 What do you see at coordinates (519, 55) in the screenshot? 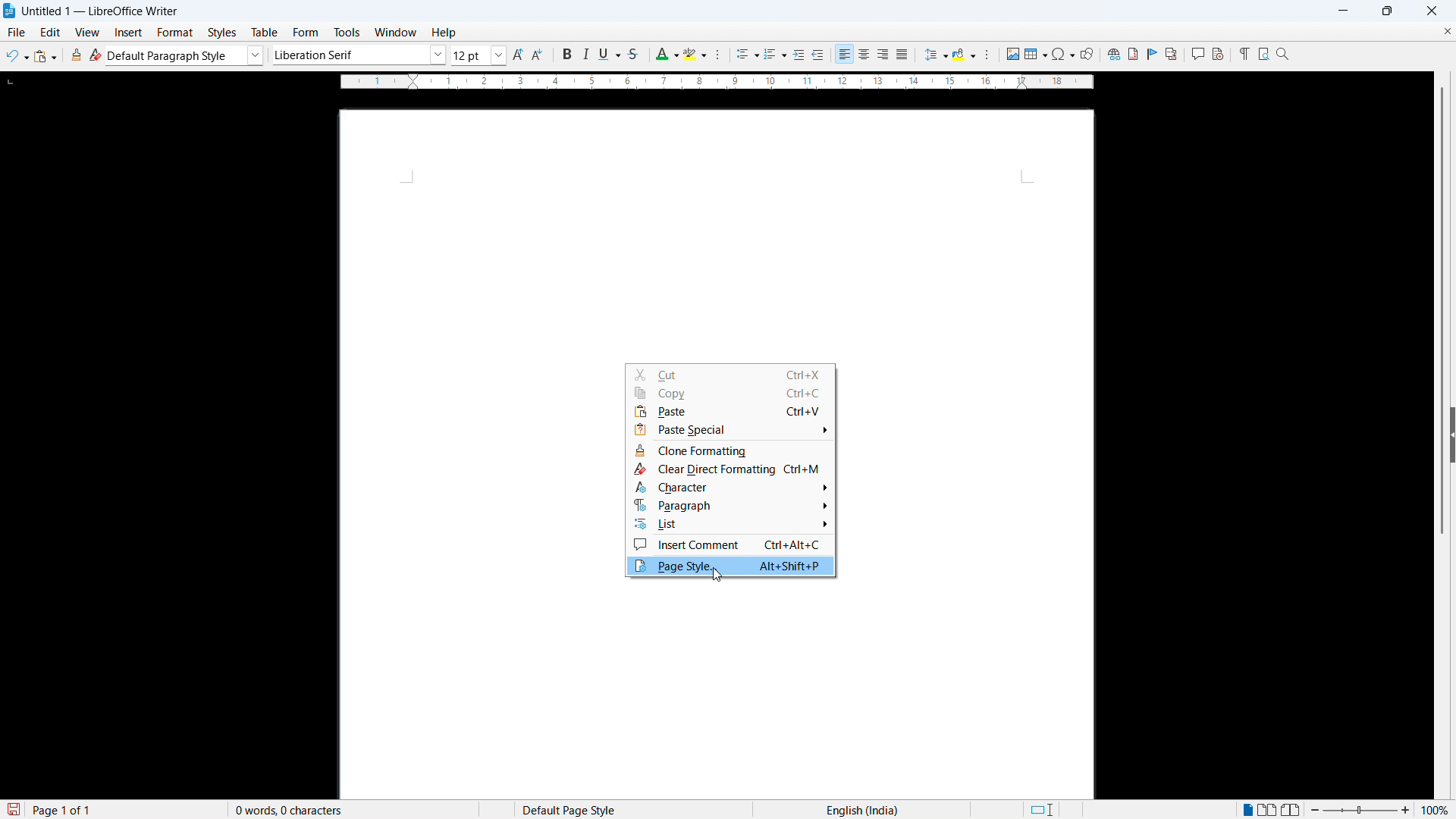
I see `Increase font size ` at bounding box center [519, 55].